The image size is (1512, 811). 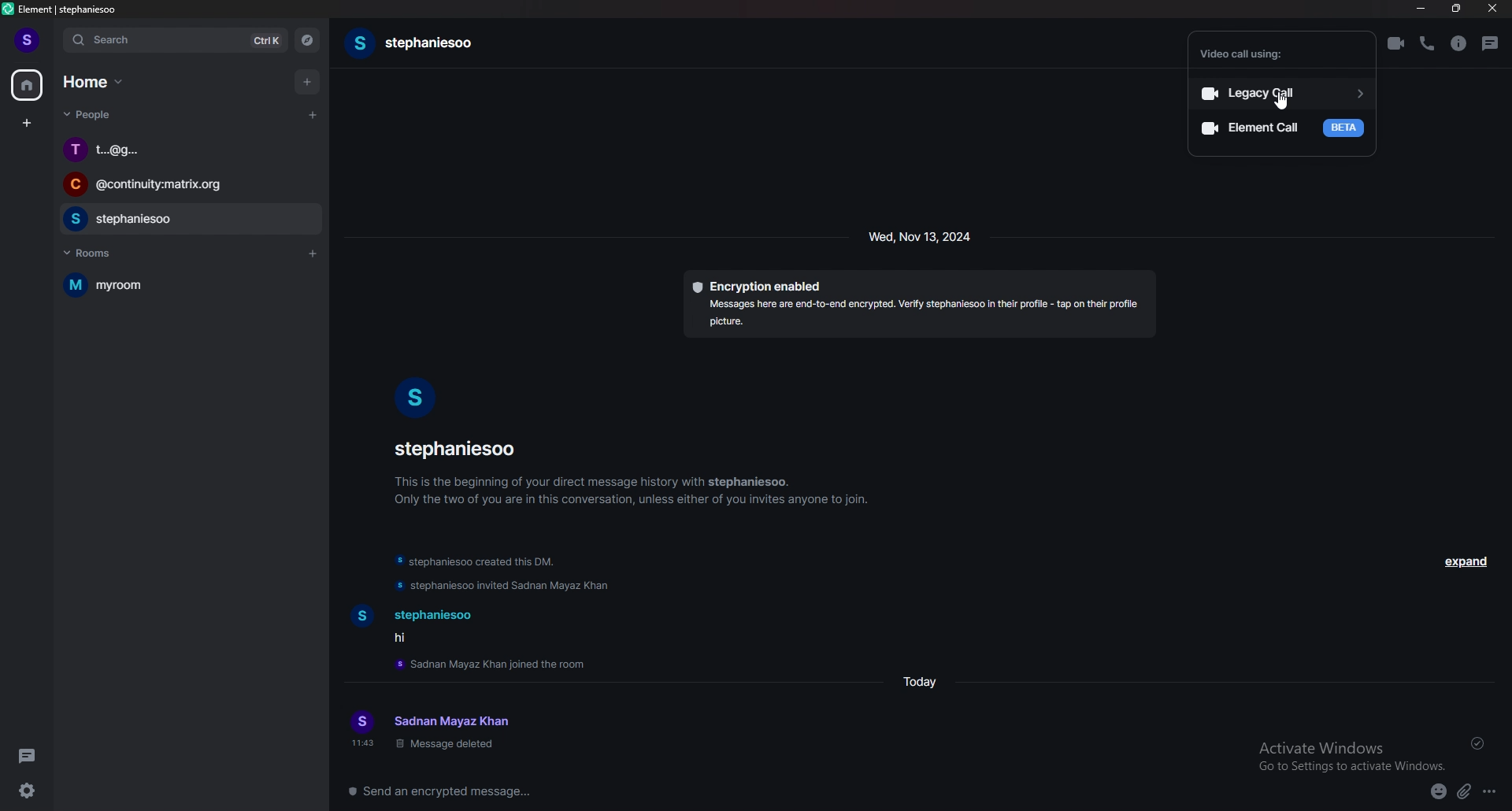 What do you see at coordinates (417, 43) in the screenshot?
I see `usernamename` at bounding box center [417, 43].